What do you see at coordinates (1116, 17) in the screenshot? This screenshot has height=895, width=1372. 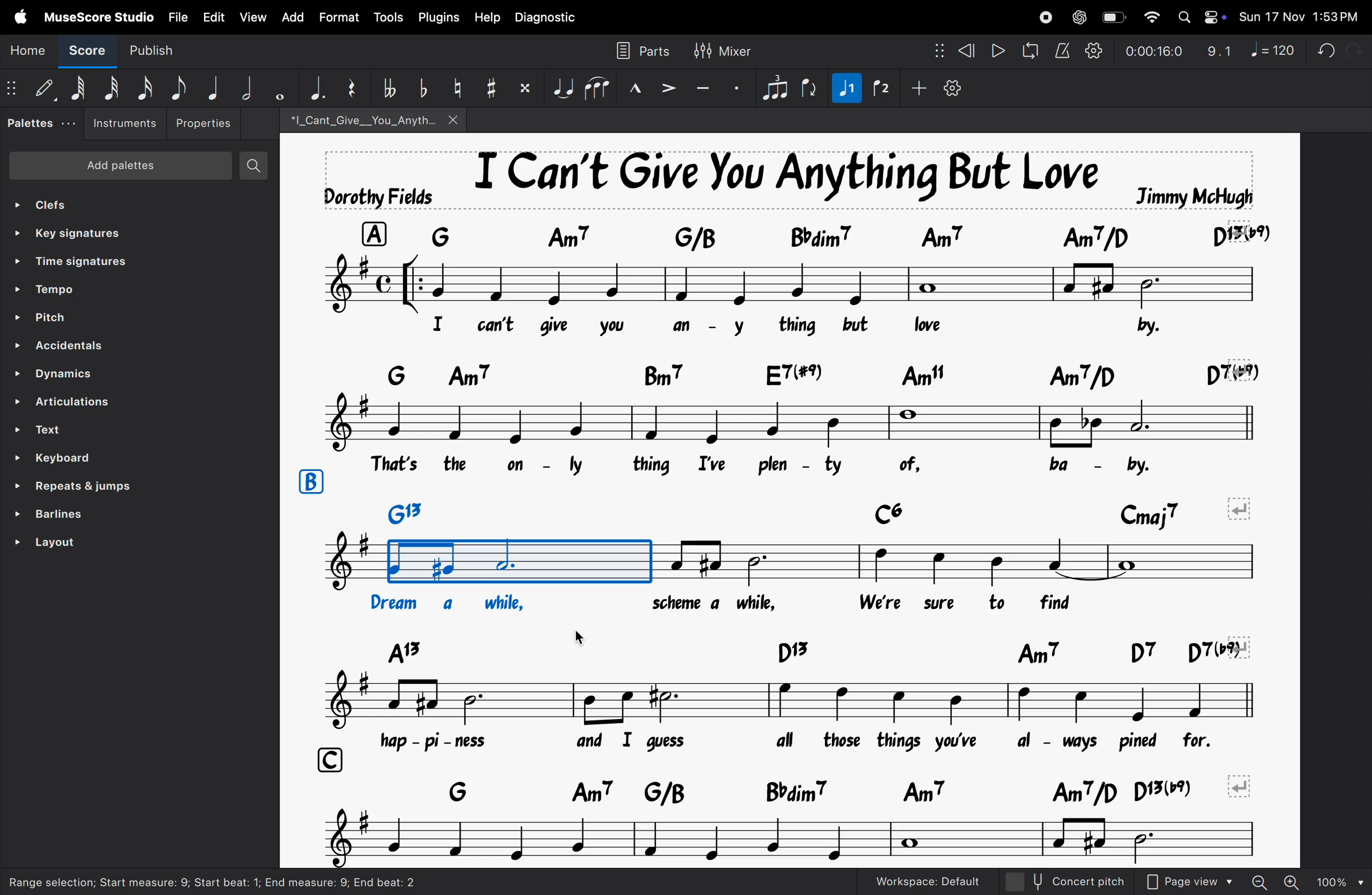 I see `battery` at bounding box center [1116, 17].